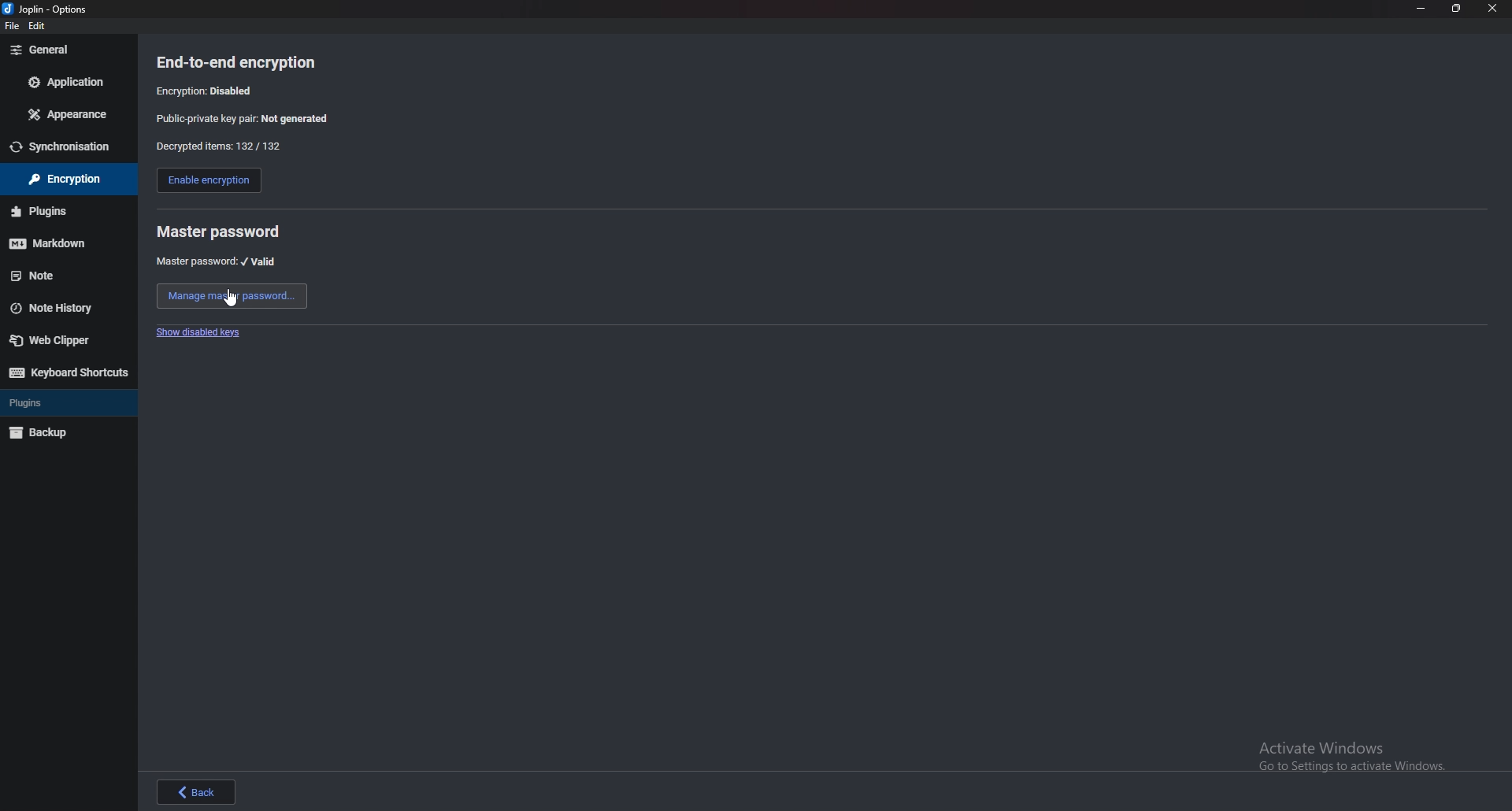  I want to click on minimize, so click(1421, 9).